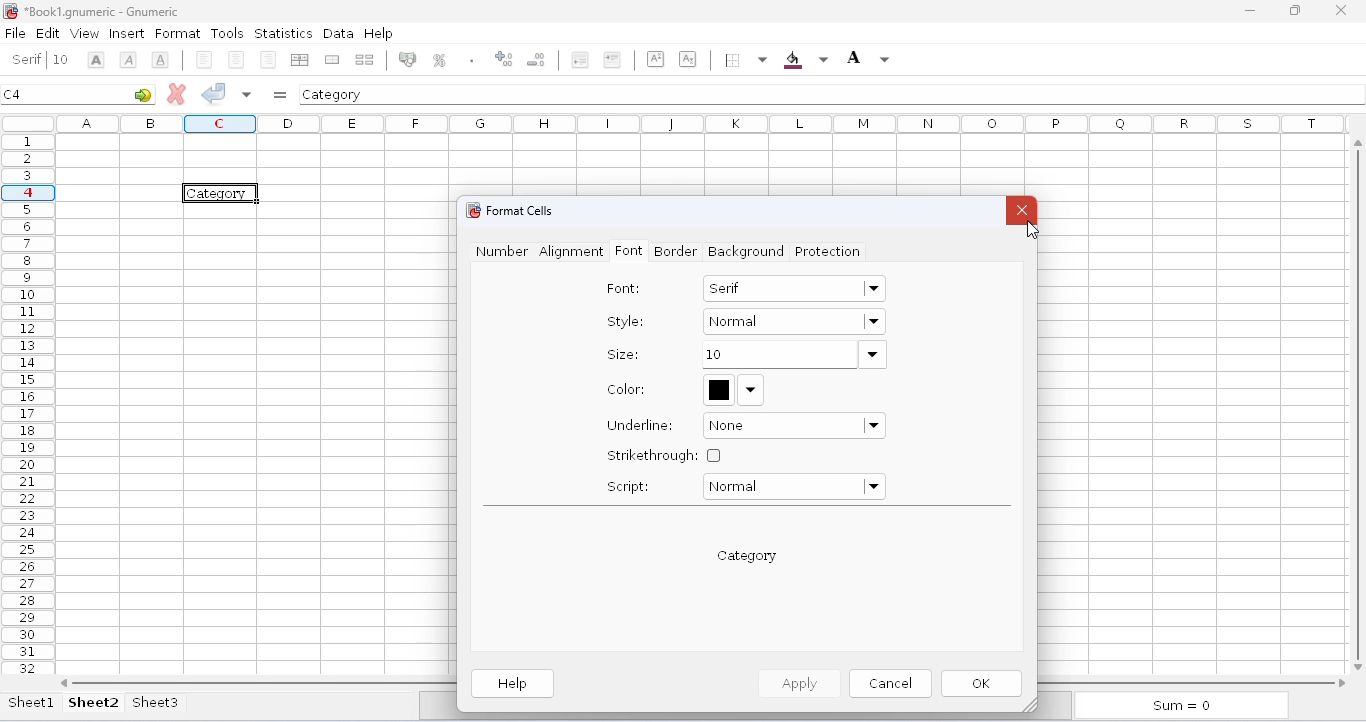 Image resolution: width=1366 pixels, height=722 pixels. I want to click on Background, so click(743, 253).